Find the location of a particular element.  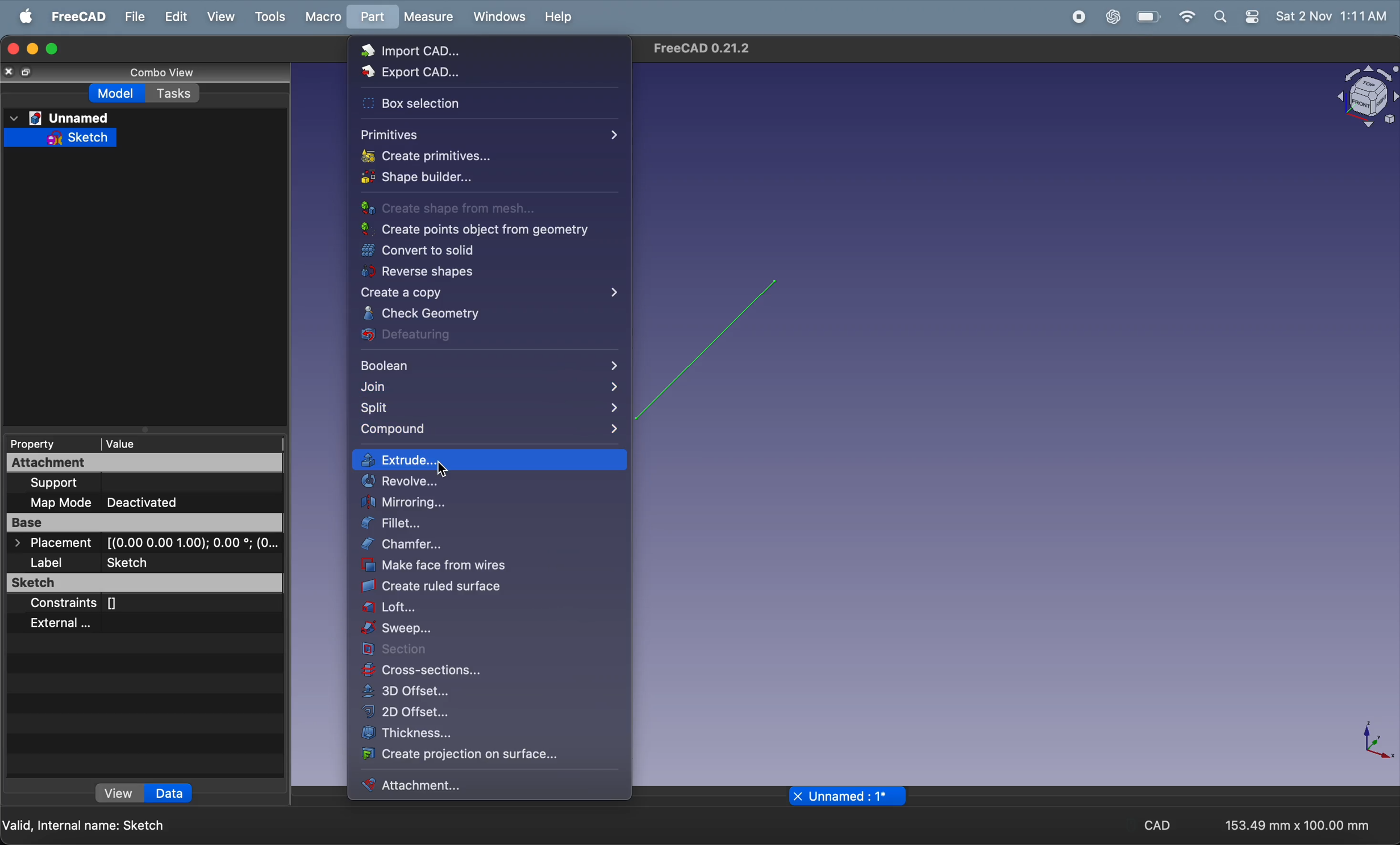

fillet... is located at coordinates (469, 522).